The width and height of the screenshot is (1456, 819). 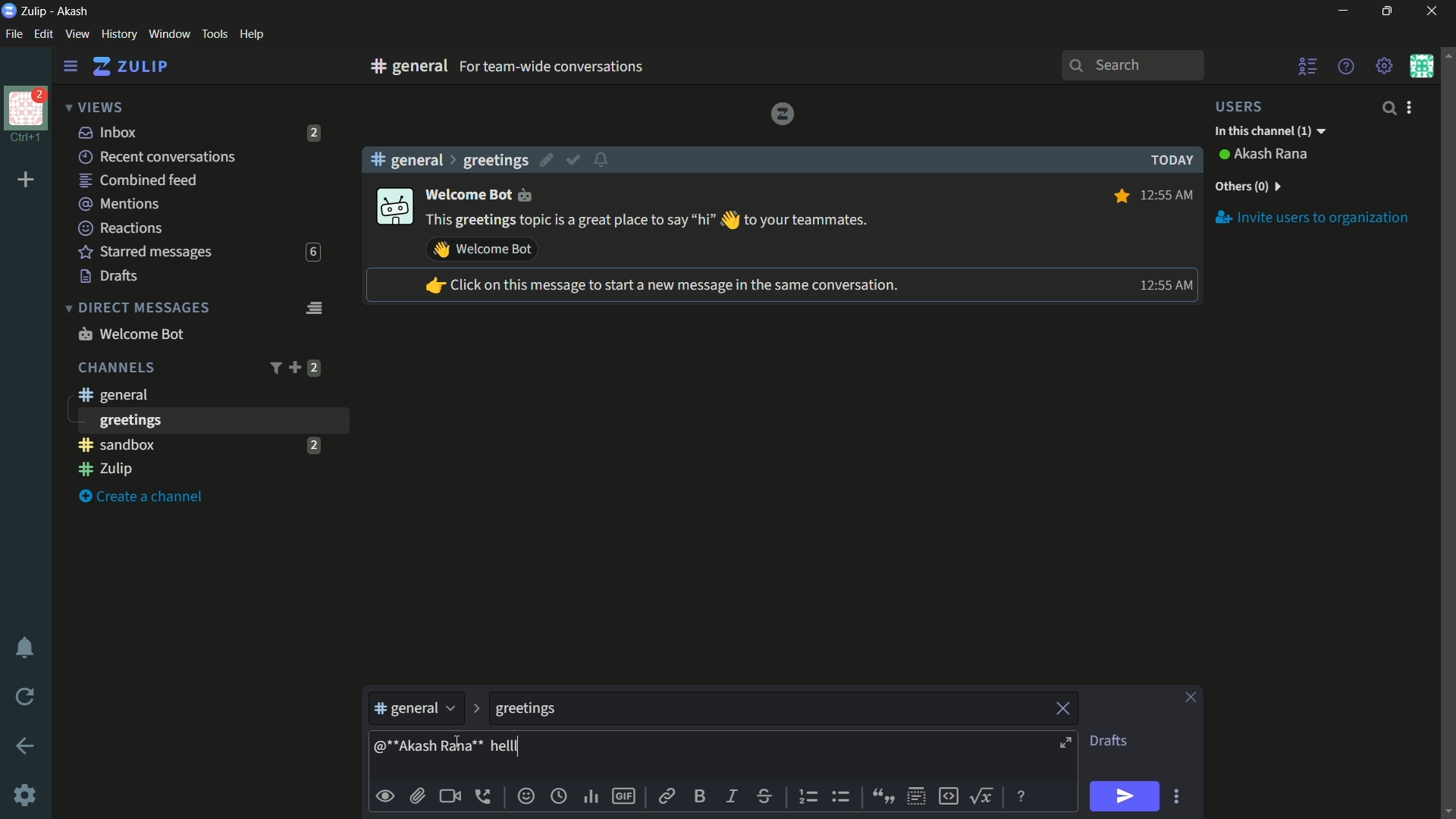 What do you see at coordinates (526, 796) in the screenshot?
I see `add emoji` at bounding box center [526, 796].